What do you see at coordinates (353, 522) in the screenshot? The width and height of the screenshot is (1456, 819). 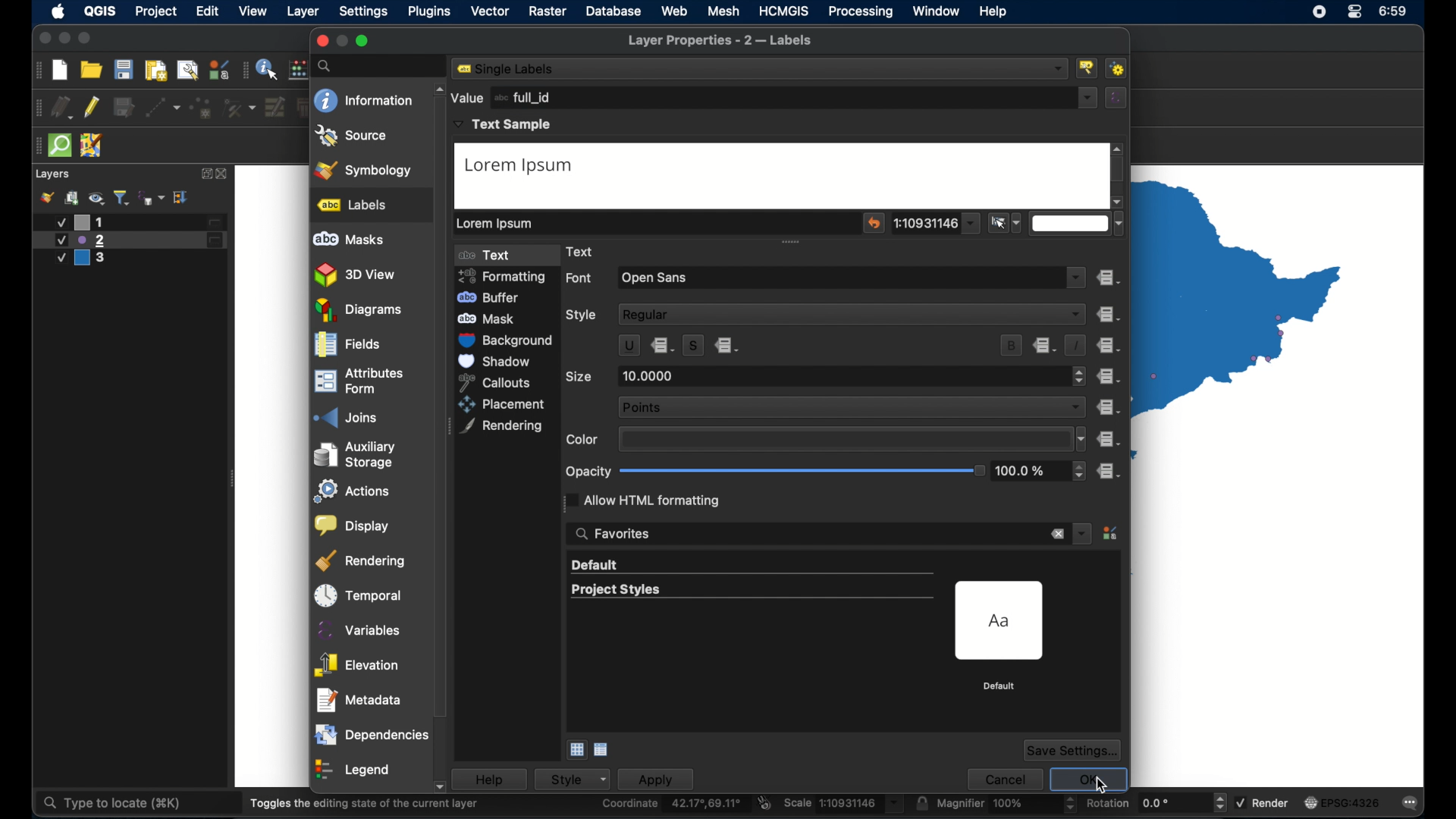 I see `display` at bounding box center [353, 522].